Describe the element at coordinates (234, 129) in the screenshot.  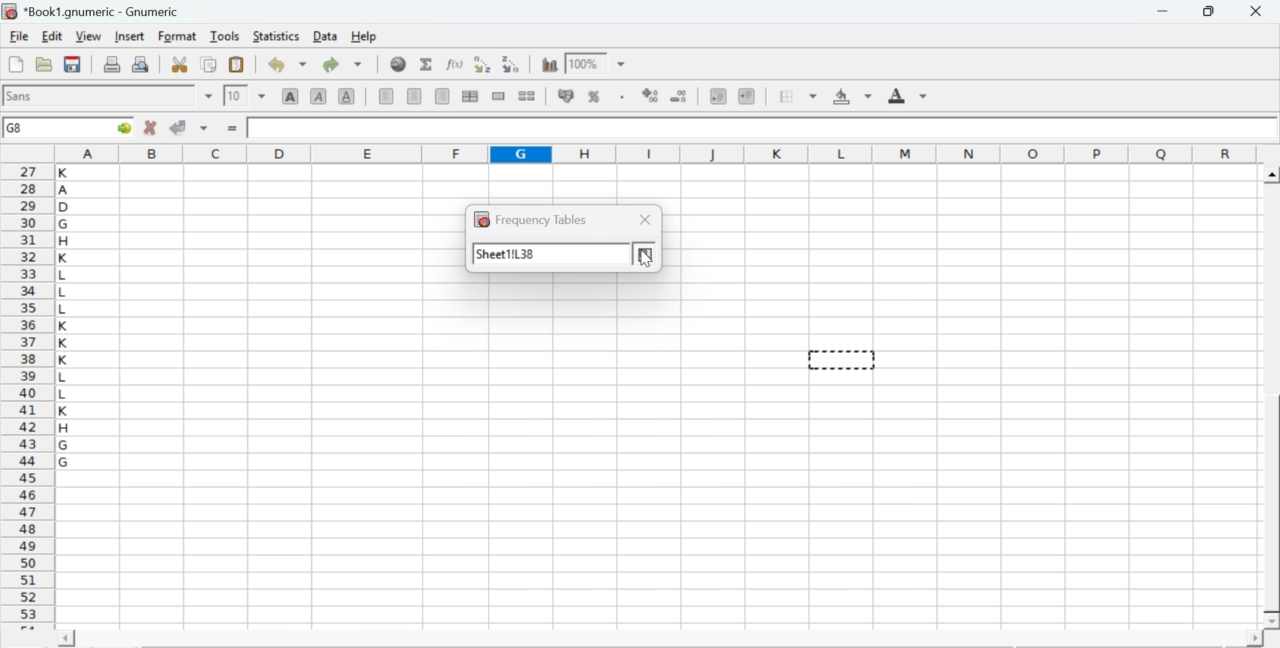
I see `enter formula` at that location.